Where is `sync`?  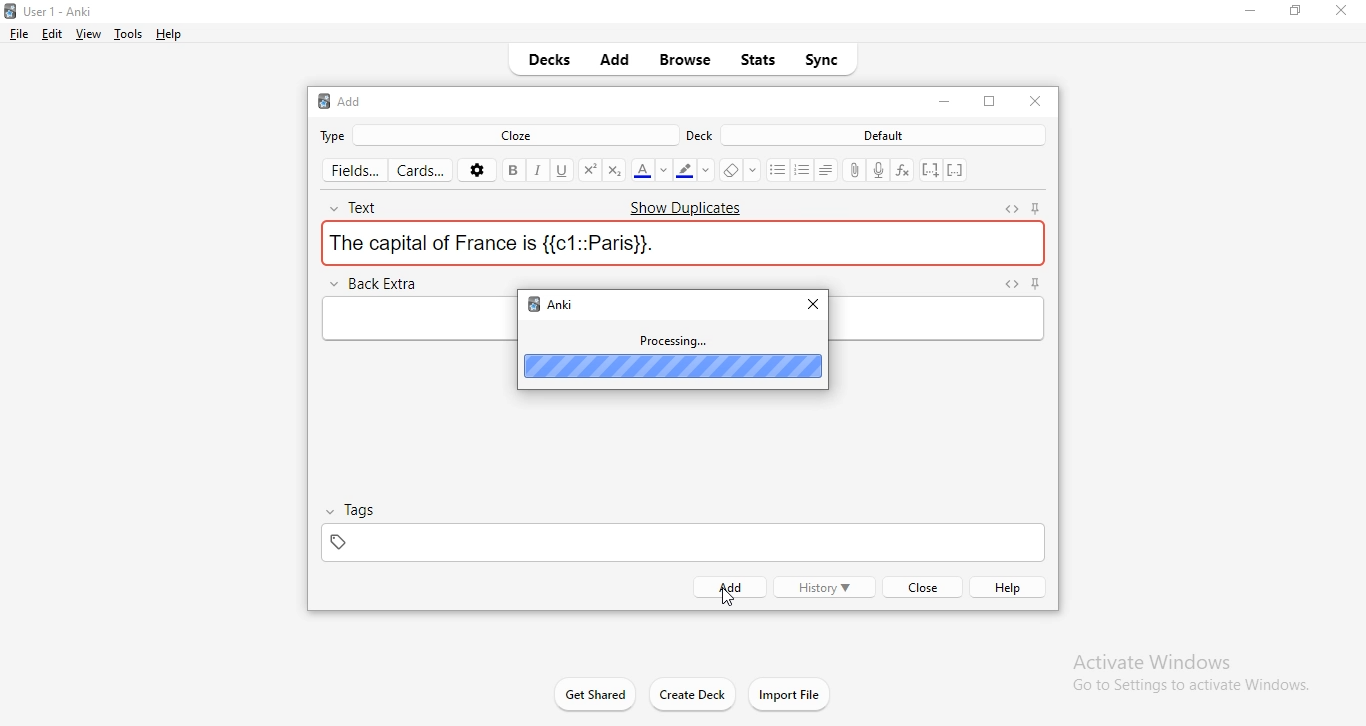
sync is located at coordinates (823, 58).